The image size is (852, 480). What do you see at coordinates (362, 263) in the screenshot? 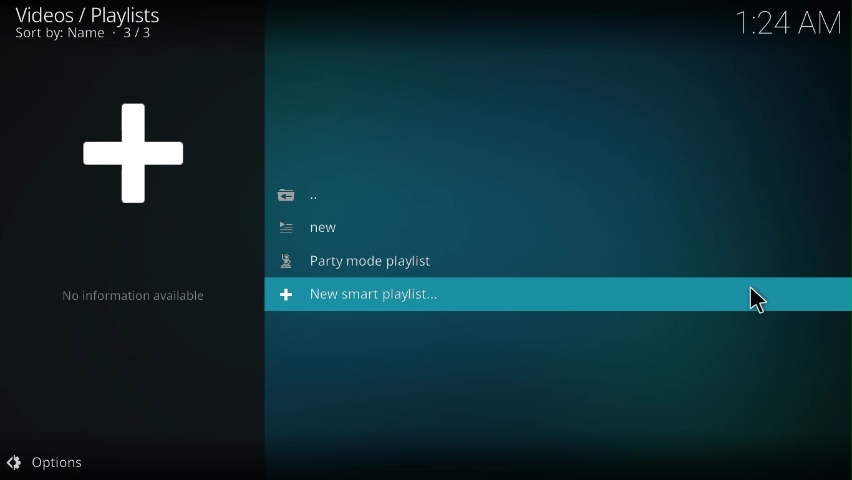
I see `party mode playlist` at bounding box center [362, 263].